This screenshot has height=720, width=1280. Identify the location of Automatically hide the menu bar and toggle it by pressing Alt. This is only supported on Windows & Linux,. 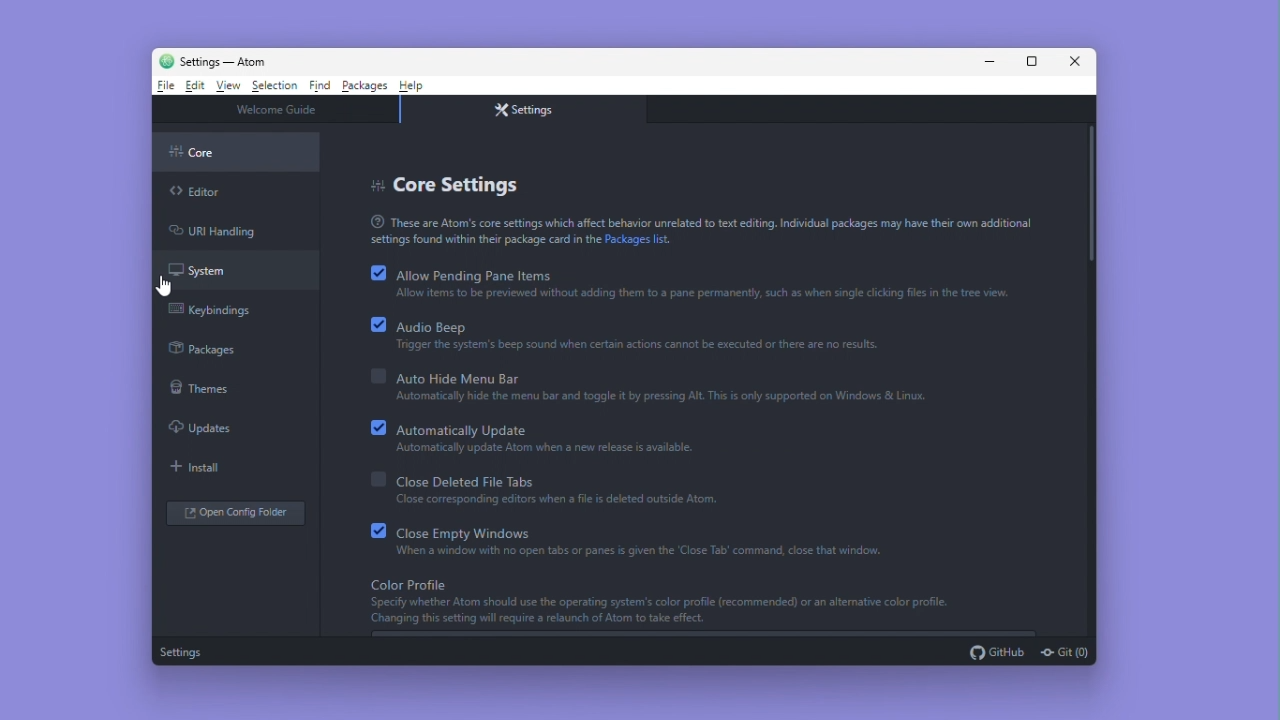
(659, 397).